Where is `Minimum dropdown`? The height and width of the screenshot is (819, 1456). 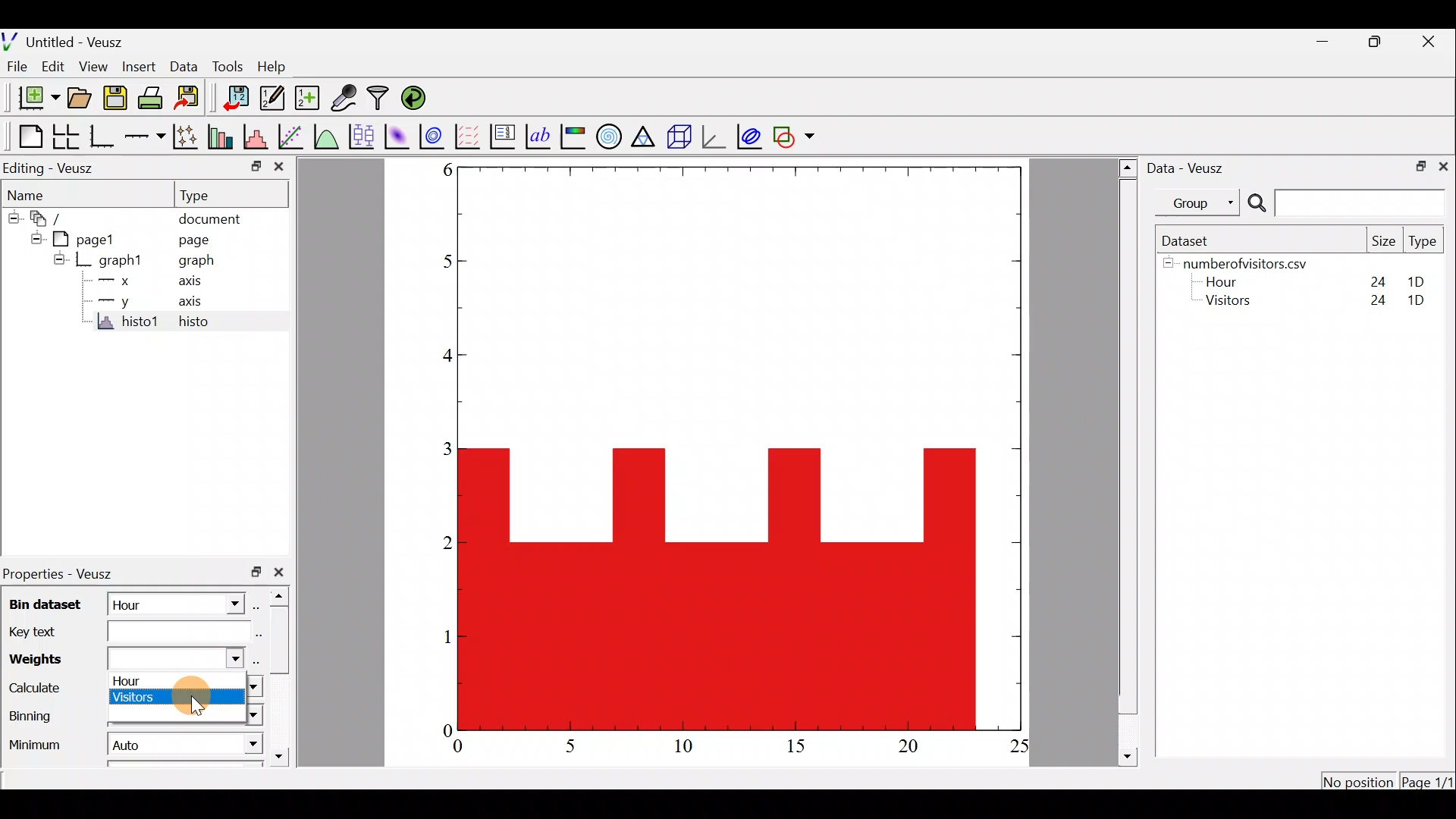
Minimum dropdown is located at coordinates (231, 745).